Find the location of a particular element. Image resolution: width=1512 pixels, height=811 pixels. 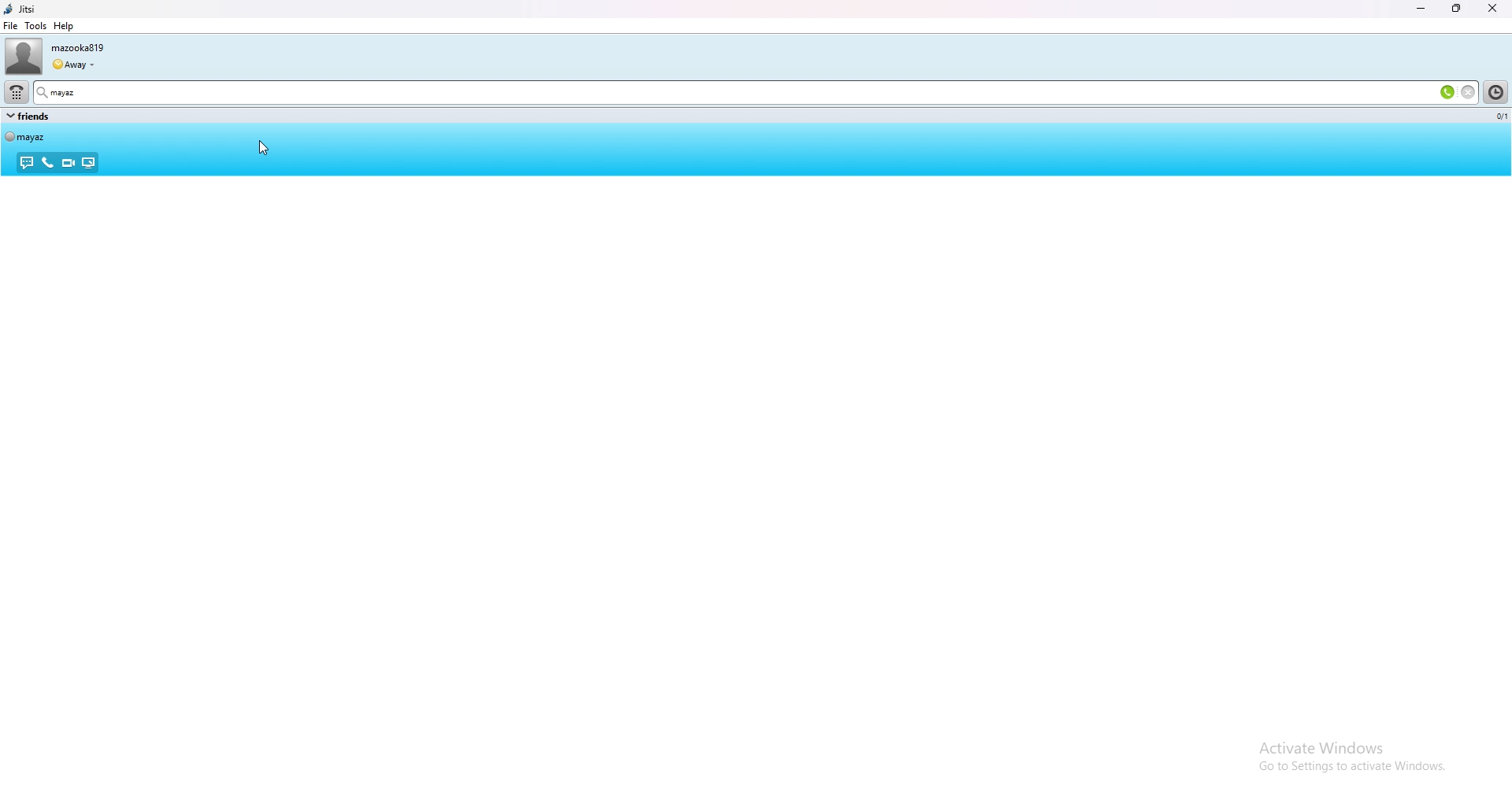

call contact is located at coordinates (46, 162).